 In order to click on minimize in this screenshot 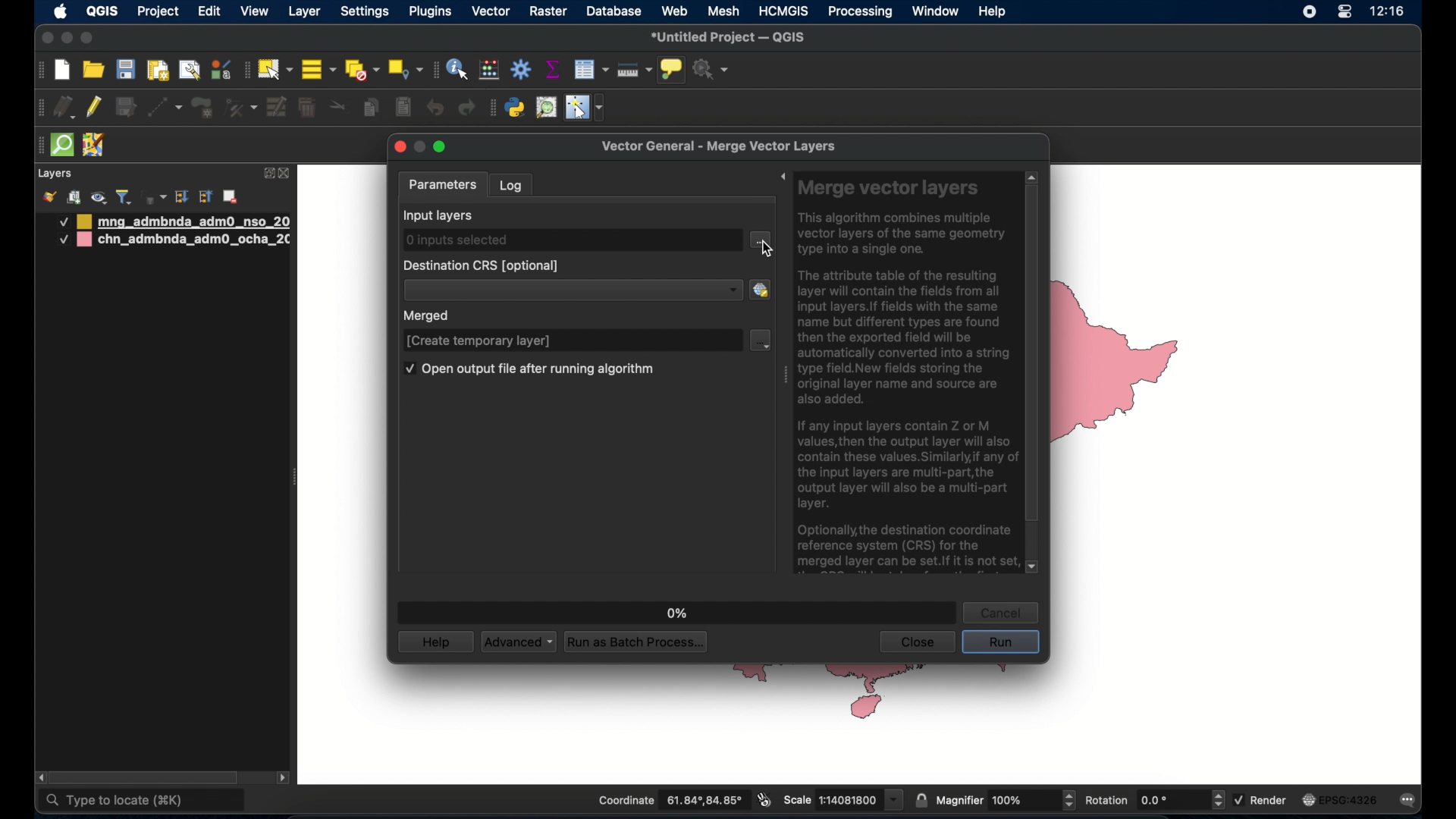, I will do `click(66, 39)`.